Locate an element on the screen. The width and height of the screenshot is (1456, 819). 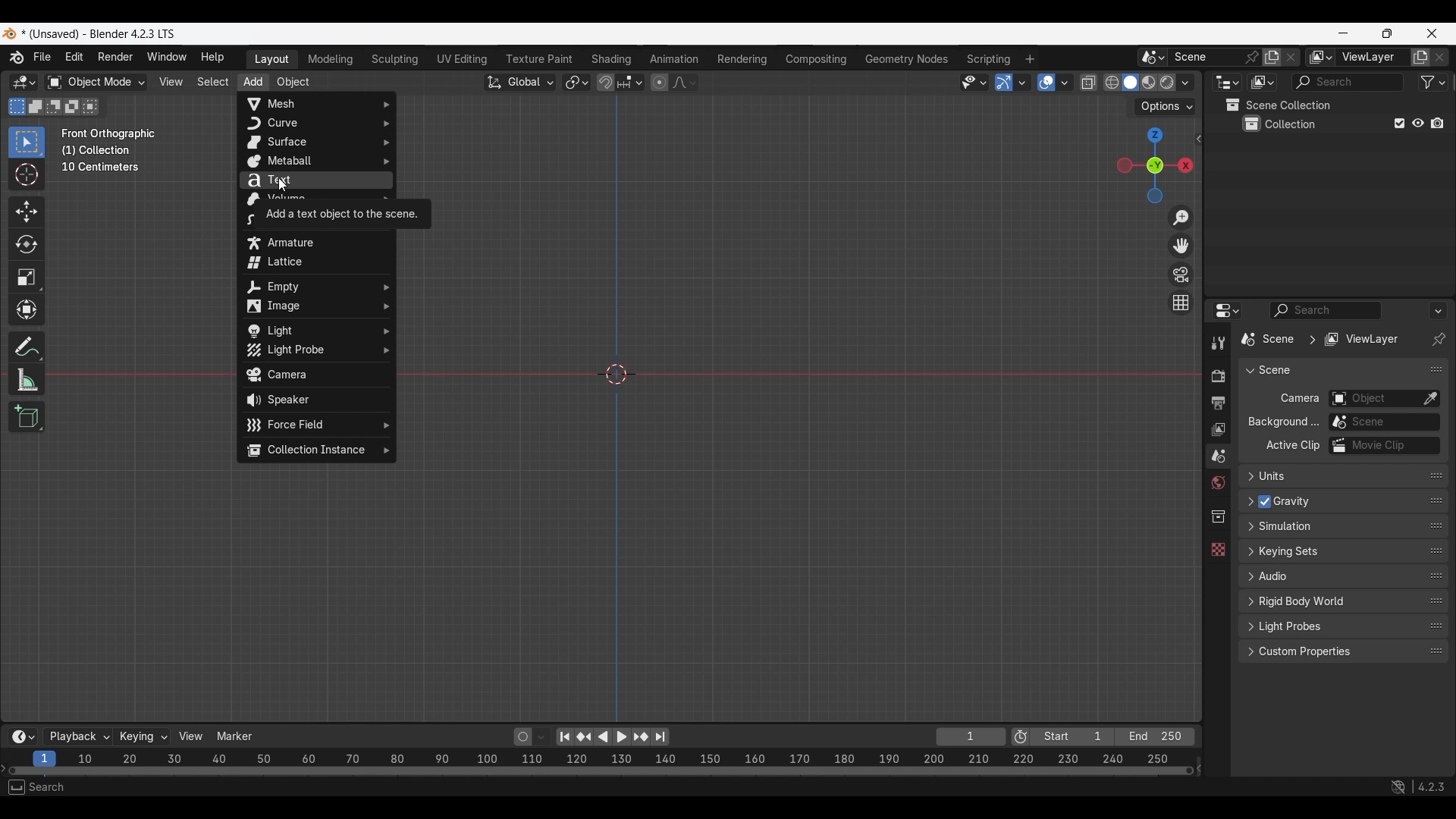
Select editor type/3D Viewport, current selection is located at coordinates (24, 82).